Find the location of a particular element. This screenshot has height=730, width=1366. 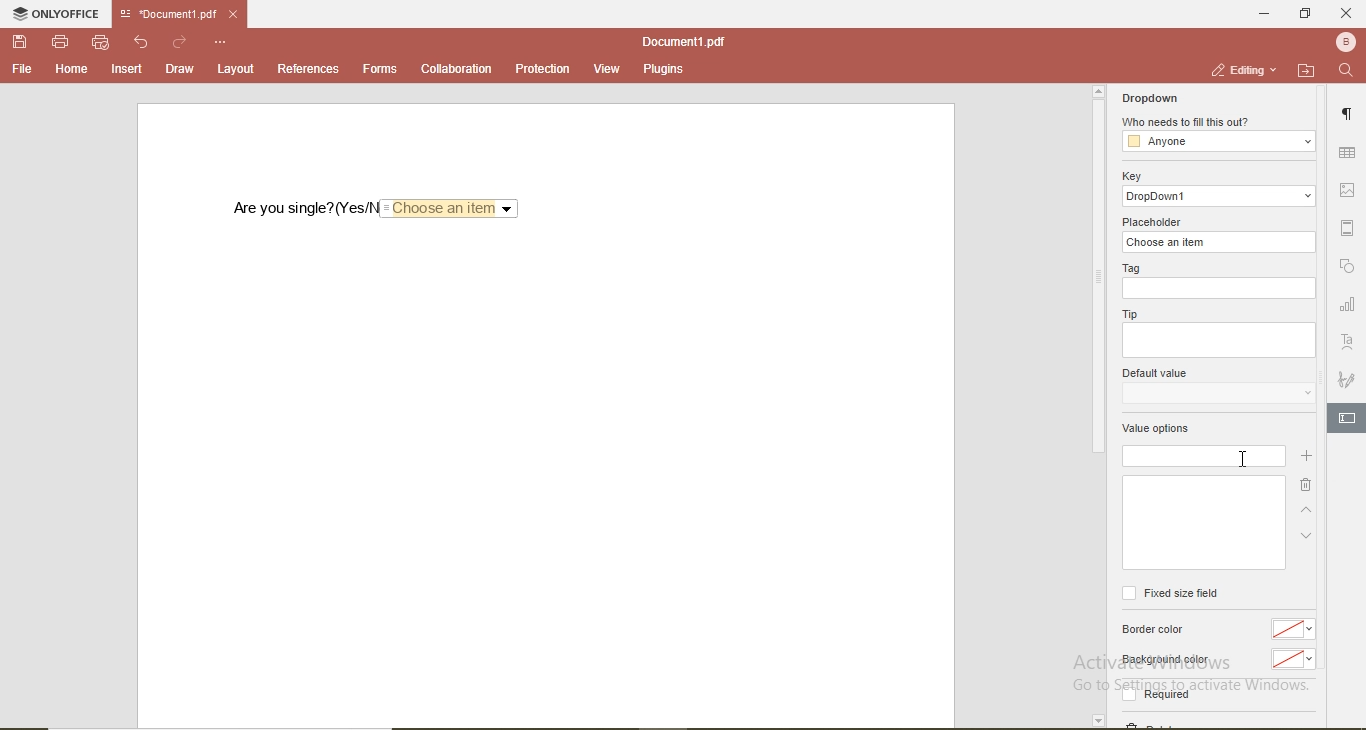

editing is located at coordinates (1246, 68).